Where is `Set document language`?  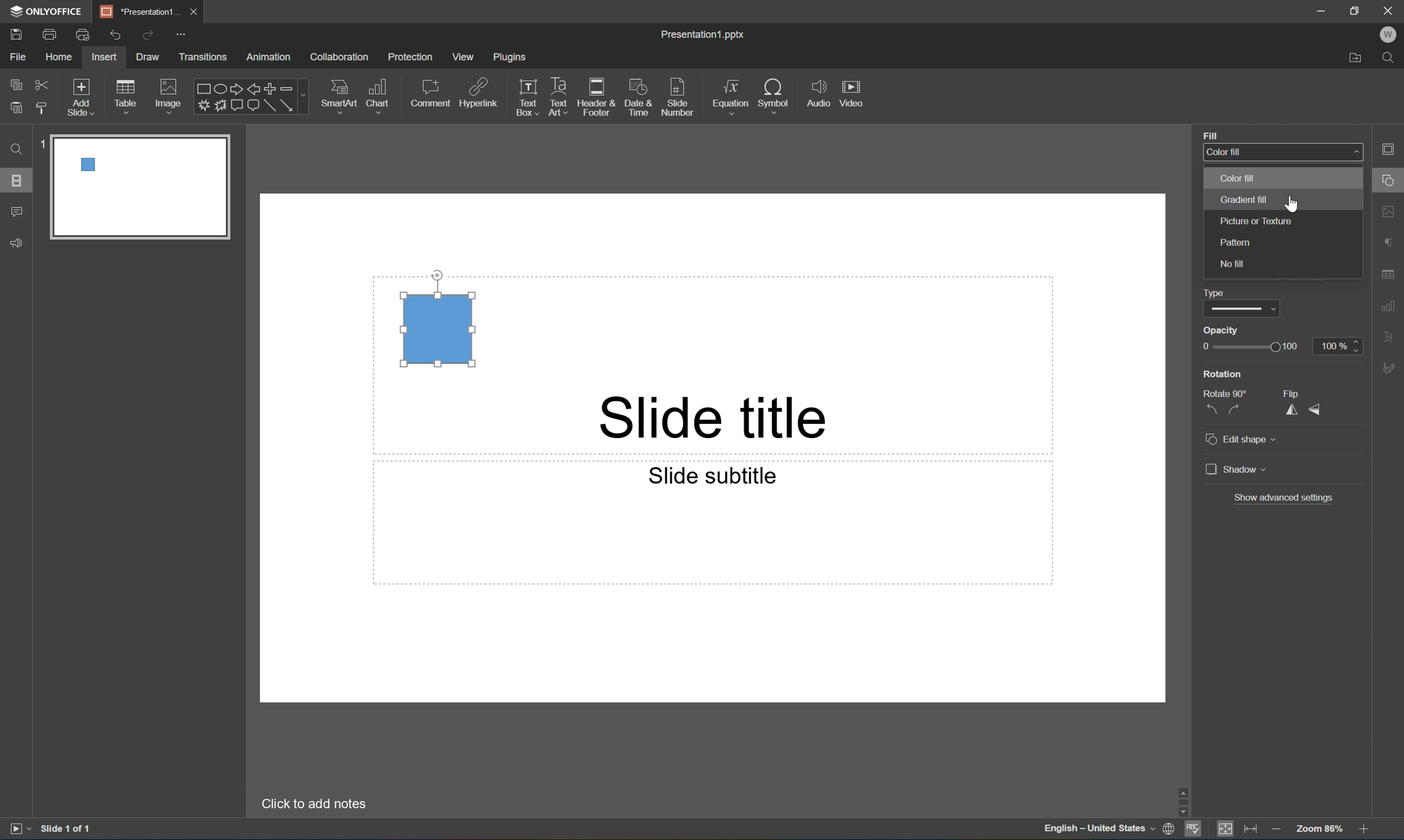 Set document language is located at coordinates (1169, 830).